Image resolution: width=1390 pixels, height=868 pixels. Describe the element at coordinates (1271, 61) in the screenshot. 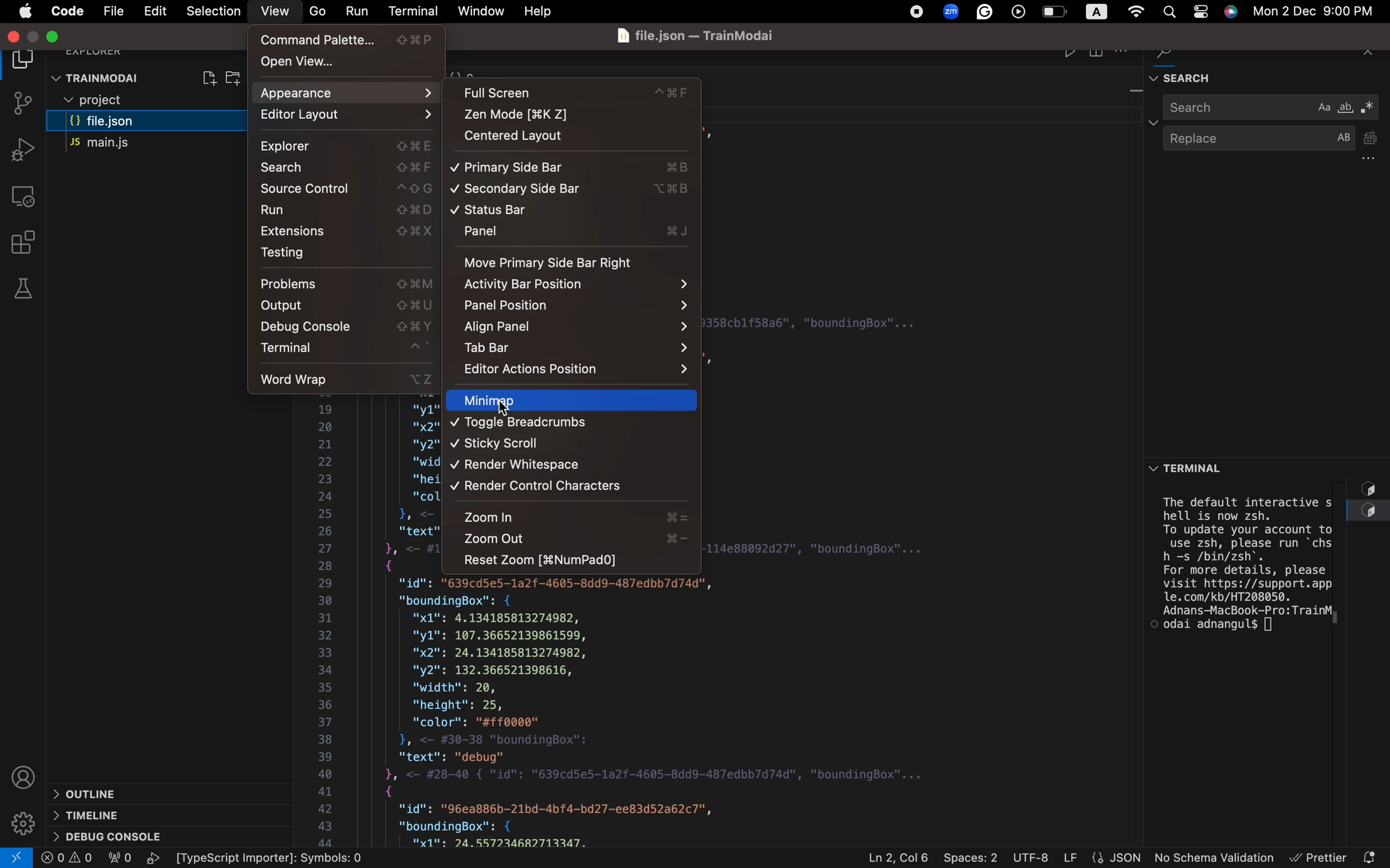

I see `find and search` at that location.